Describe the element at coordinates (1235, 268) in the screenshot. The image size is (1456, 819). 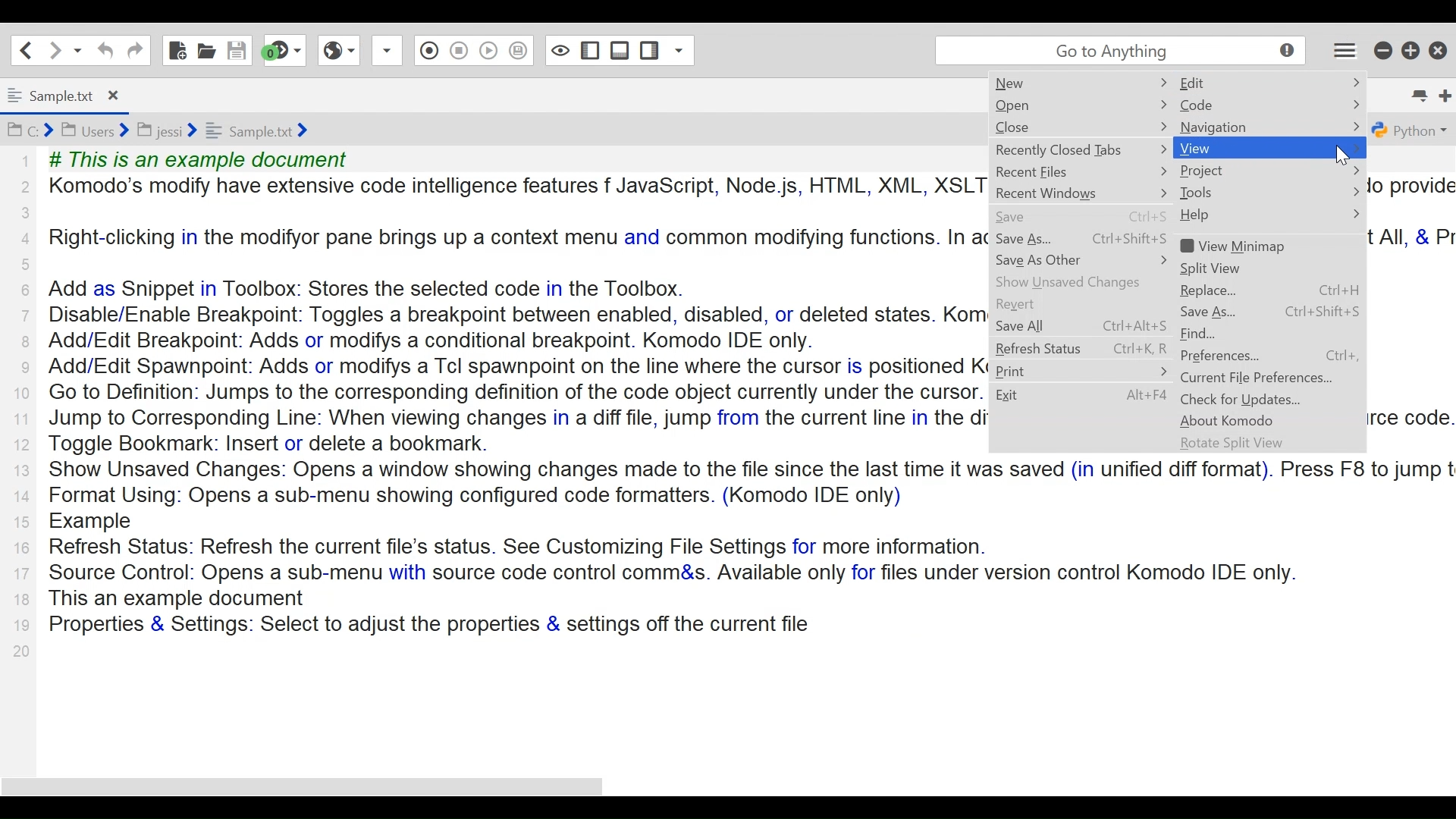
I see `Split View` at that location.